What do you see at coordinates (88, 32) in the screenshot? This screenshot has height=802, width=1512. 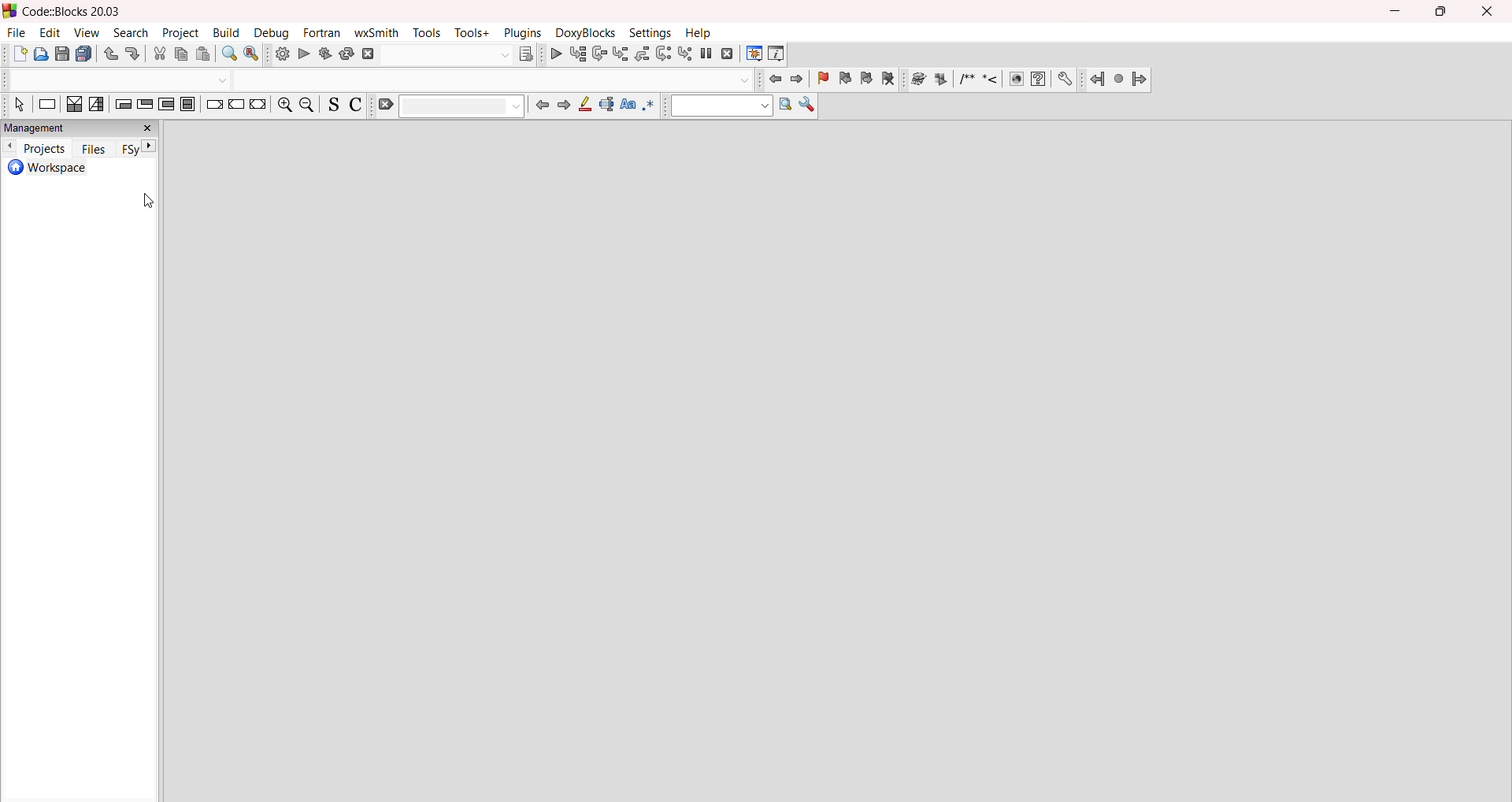 I see `view` at bounding box center [88, 32].